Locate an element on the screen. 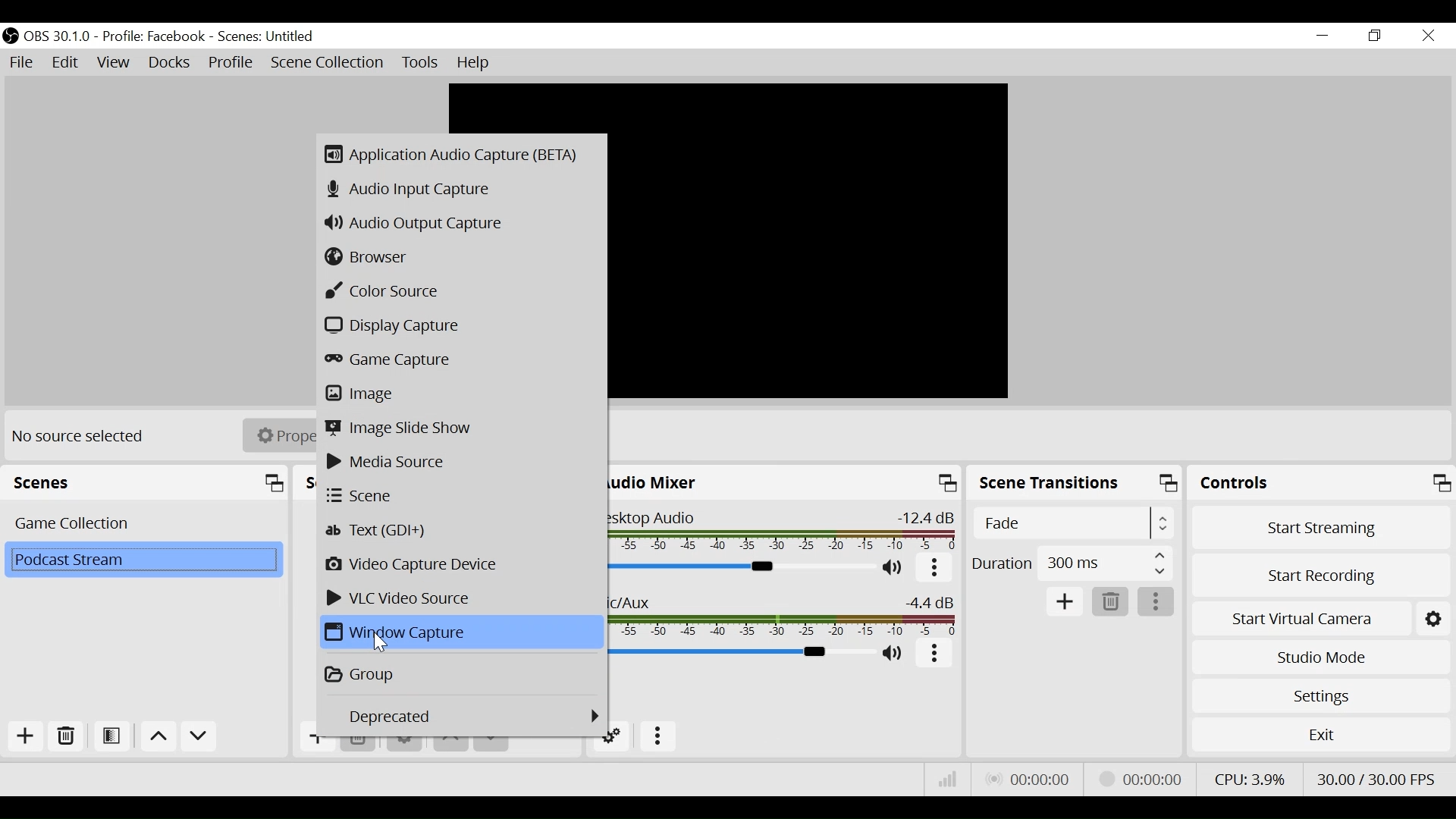 Image resolution: width=1456 pixels, height=819 pixels. Image is located at coordinates (461, 393).